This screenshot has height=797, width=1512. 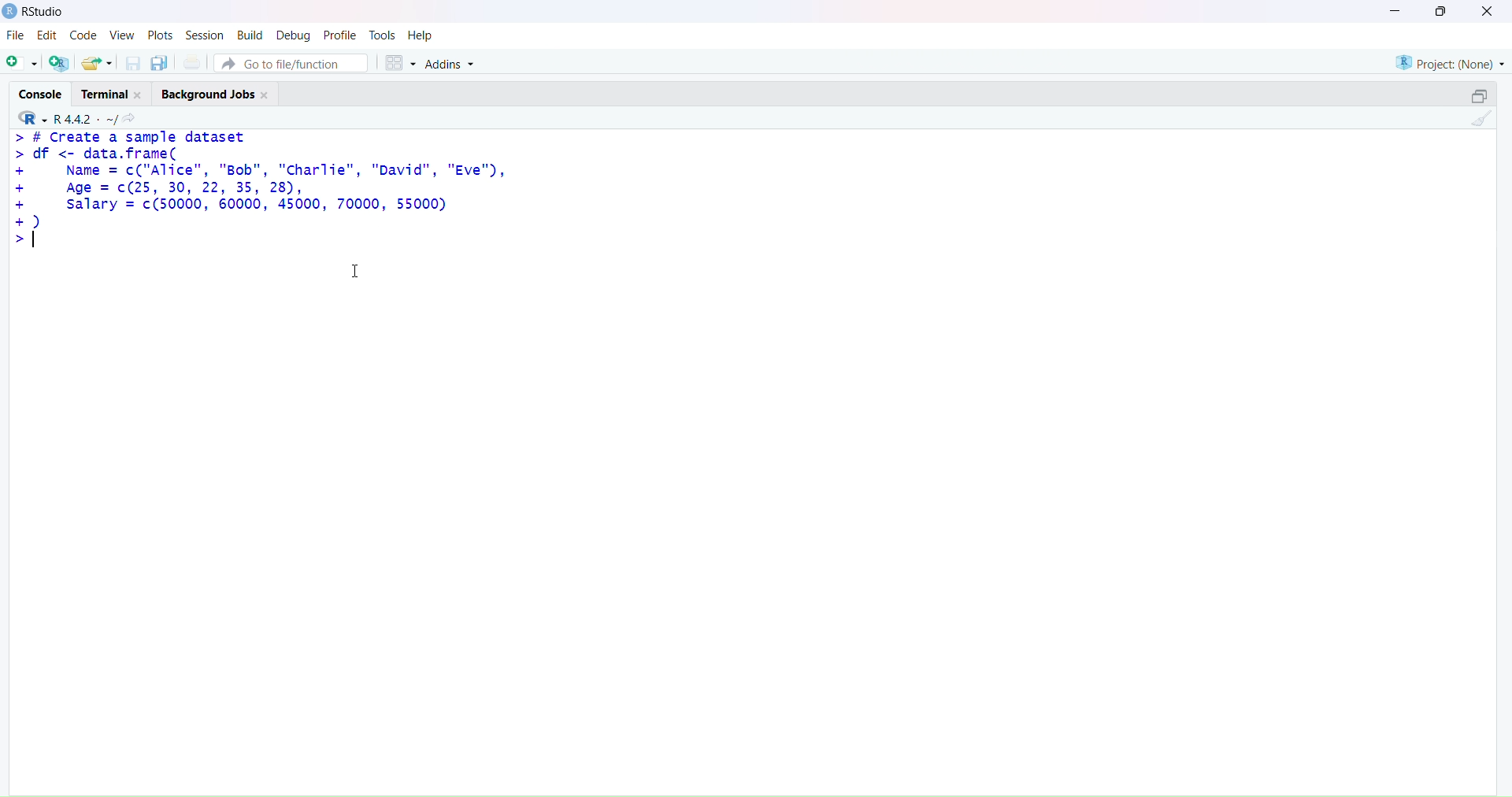 I want to click on edit, so click(x=50, y=35).